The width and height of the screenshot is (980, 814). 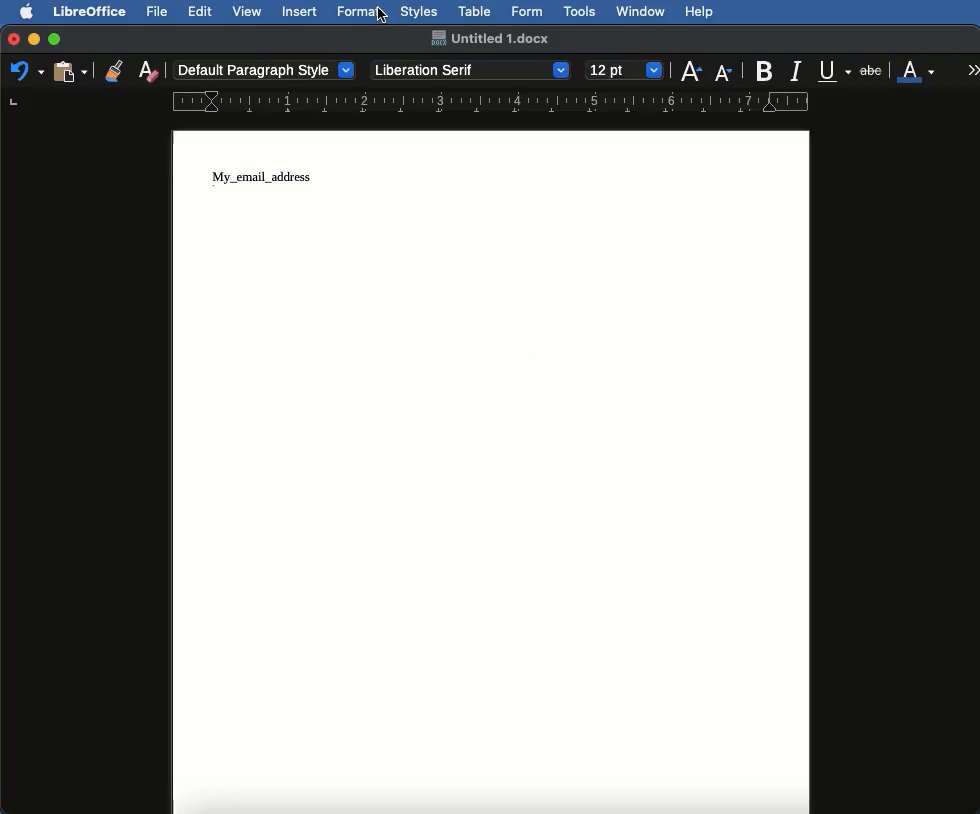 What do you see at coordinates (581, 12) in the screenshot?
I see `Tools` at bounding box center [581, 12].